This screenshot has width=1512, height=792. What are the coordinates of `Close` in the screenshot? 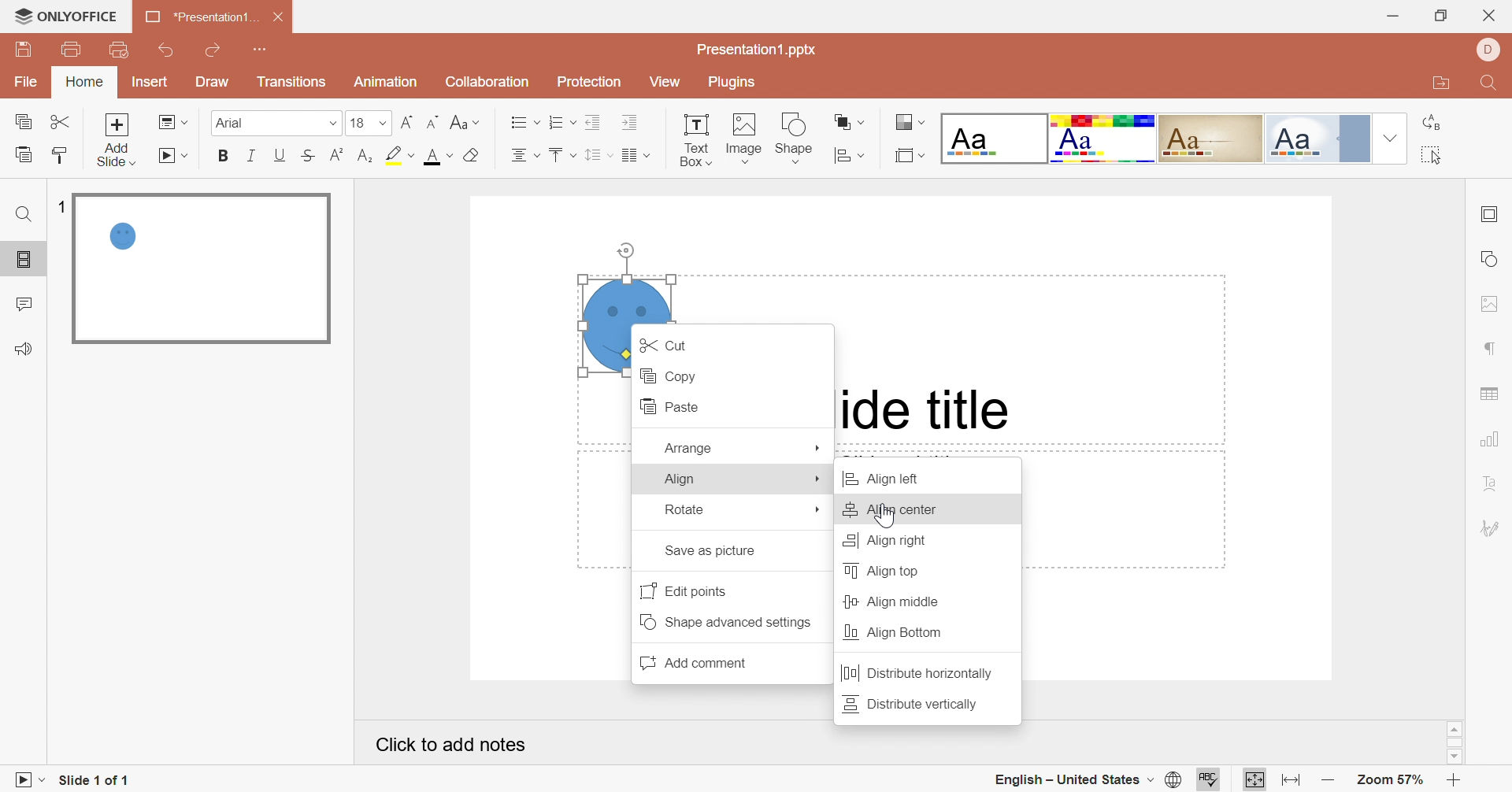 It's located at (1491, 15).